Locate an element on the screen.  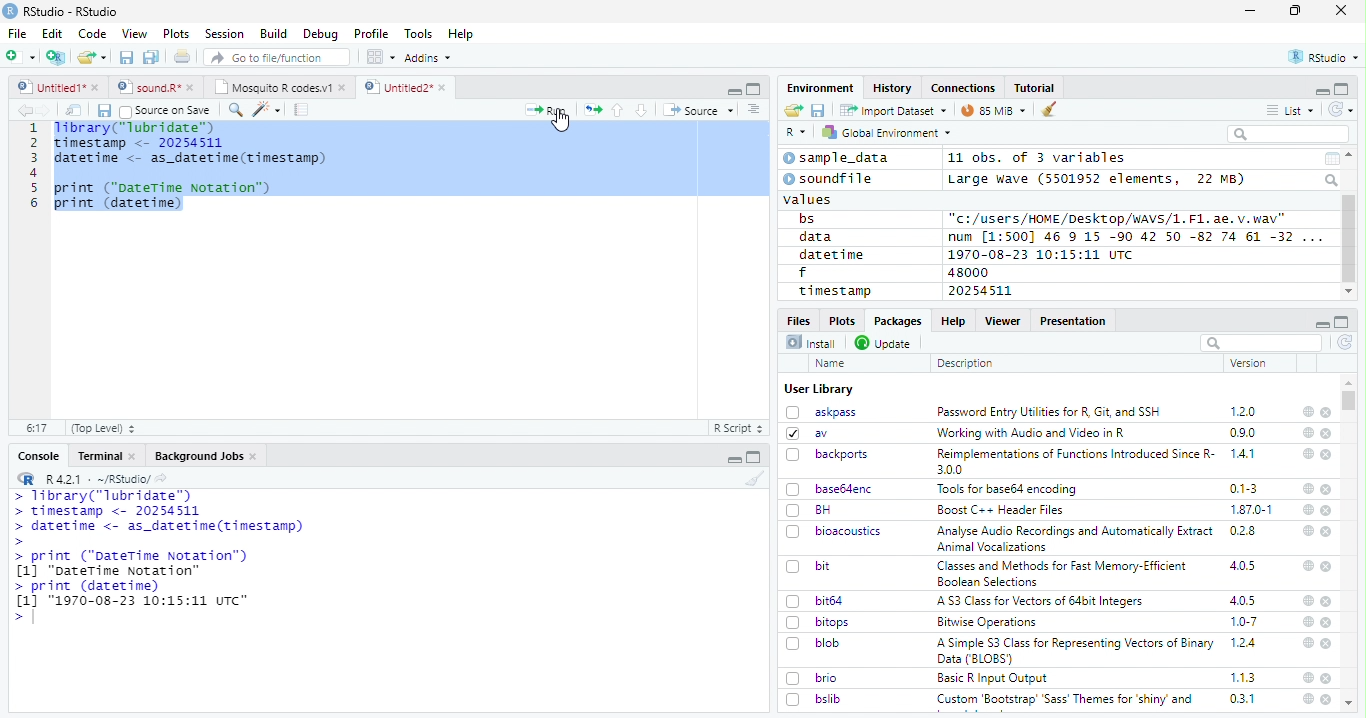
Save is located at coordinates (103, 111).